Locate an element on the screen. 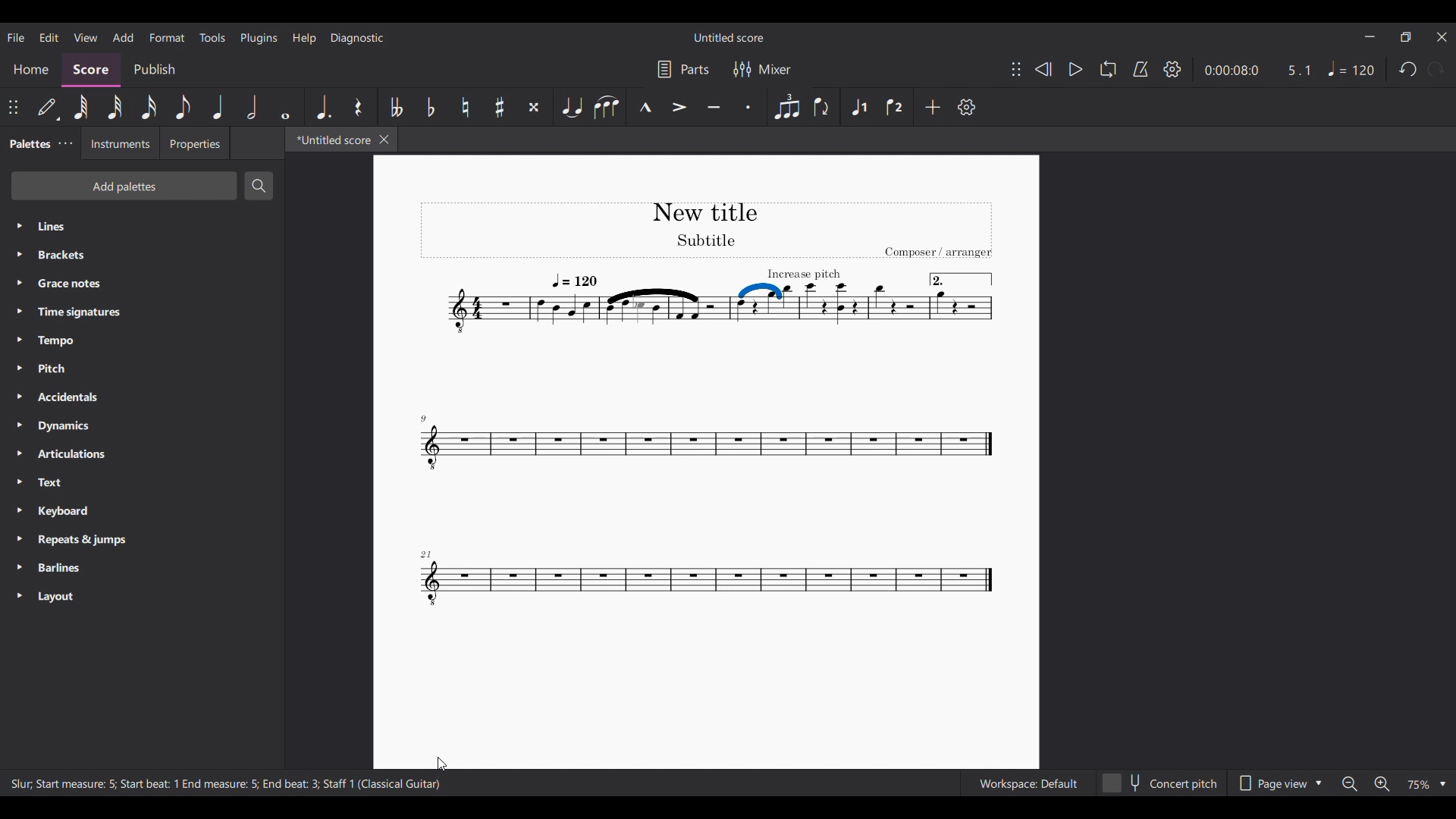  Layout is located at coordinates (142, 596).